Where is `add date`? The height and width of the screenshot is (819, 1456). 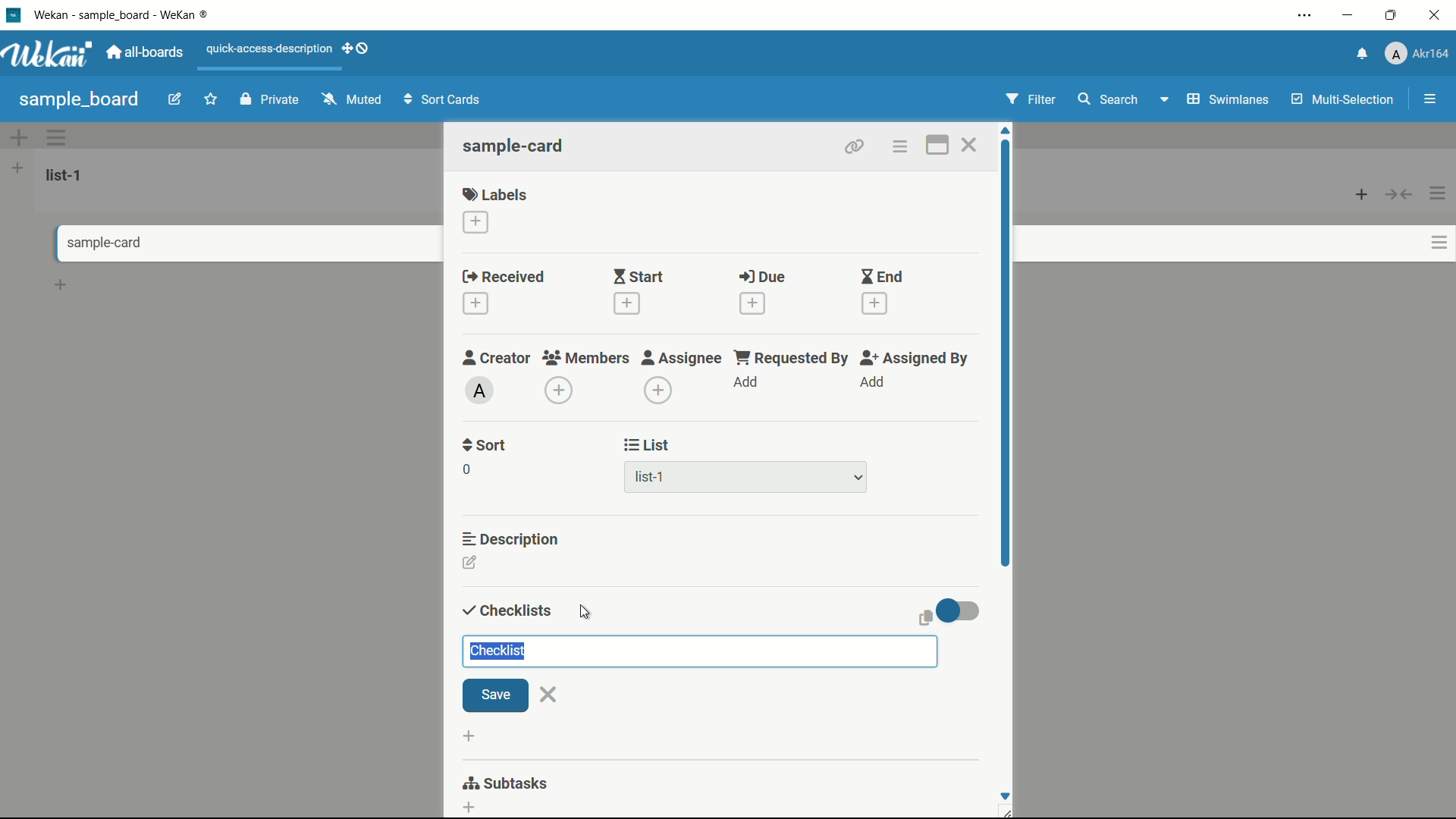 add date is located at coordinates (752, 303).